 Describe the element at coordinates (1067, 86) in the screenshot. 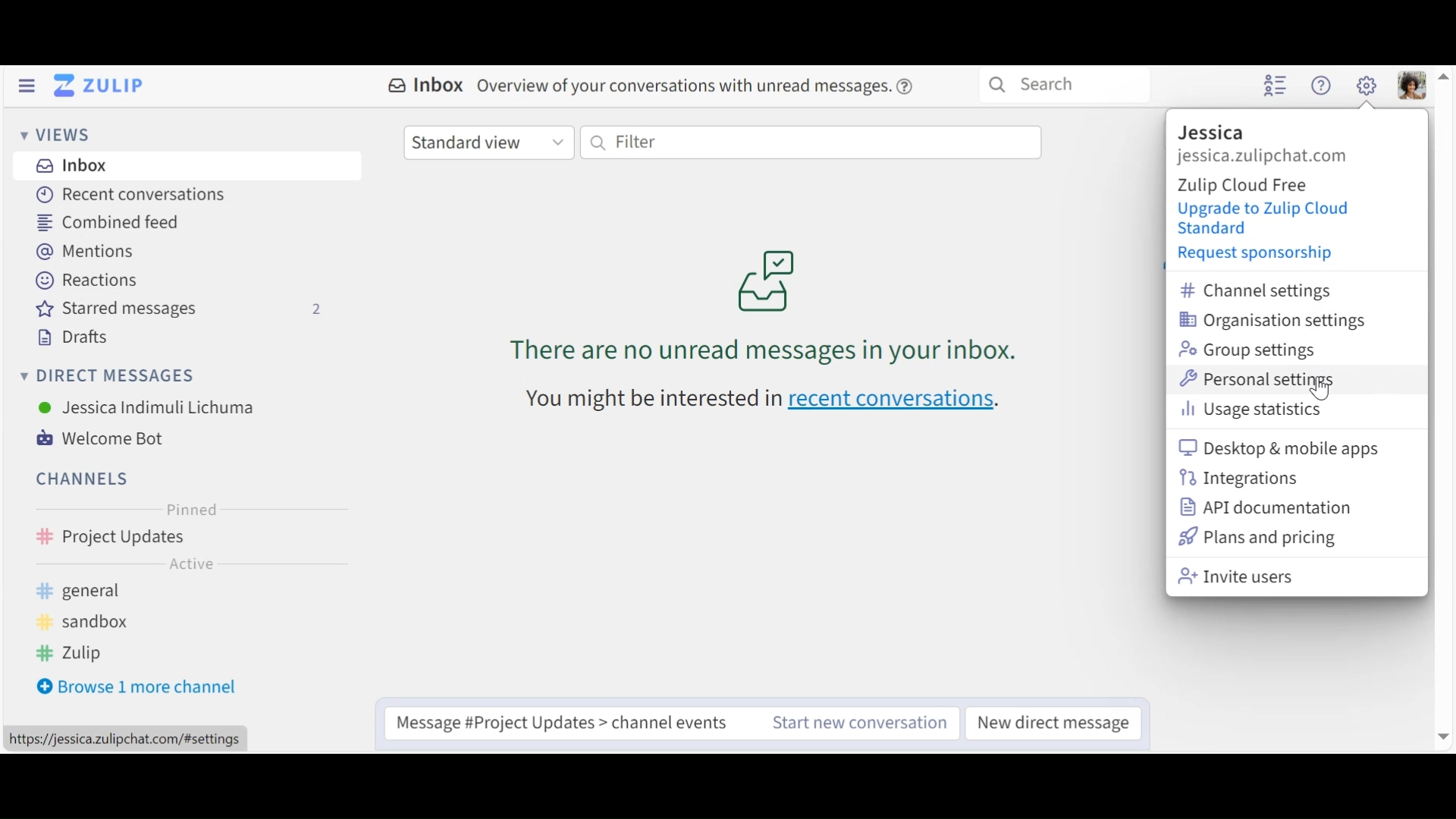

I see `Search` at that location.